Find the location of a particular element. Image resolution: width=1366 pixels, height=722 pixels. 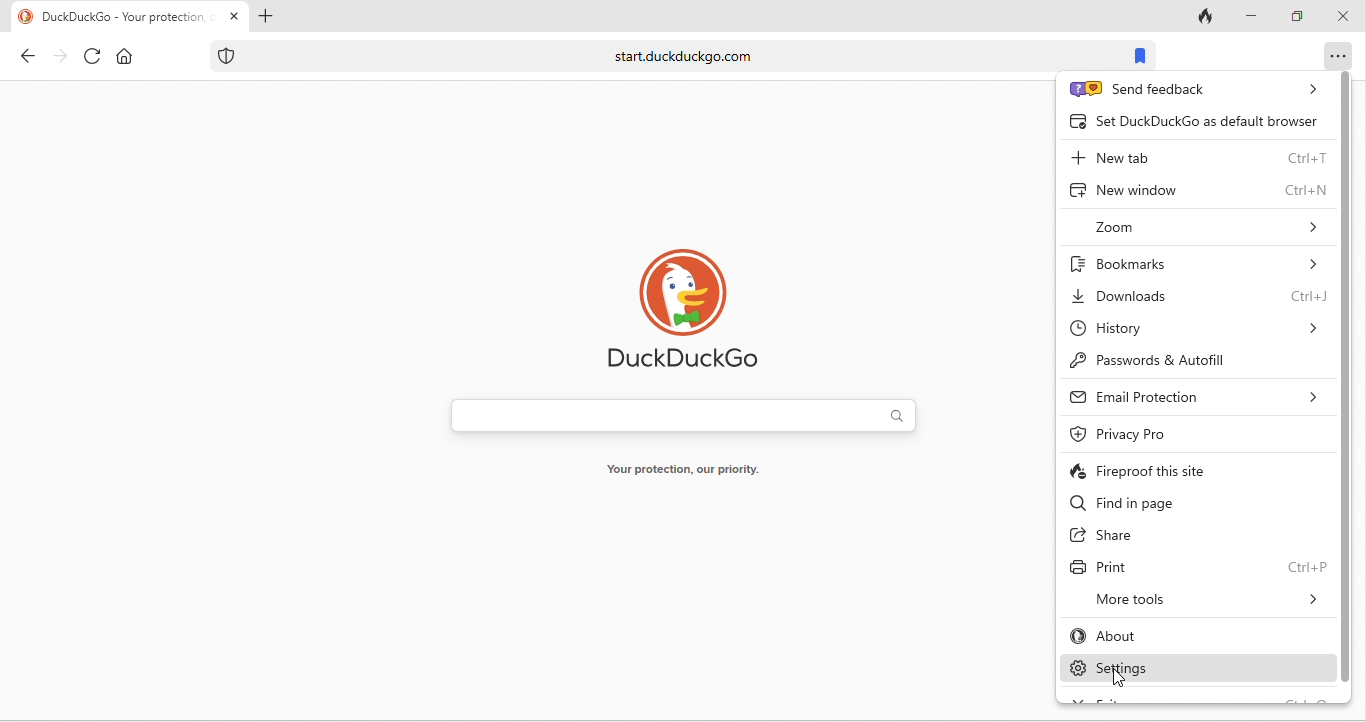

web link is located at coordinates (659, 53).